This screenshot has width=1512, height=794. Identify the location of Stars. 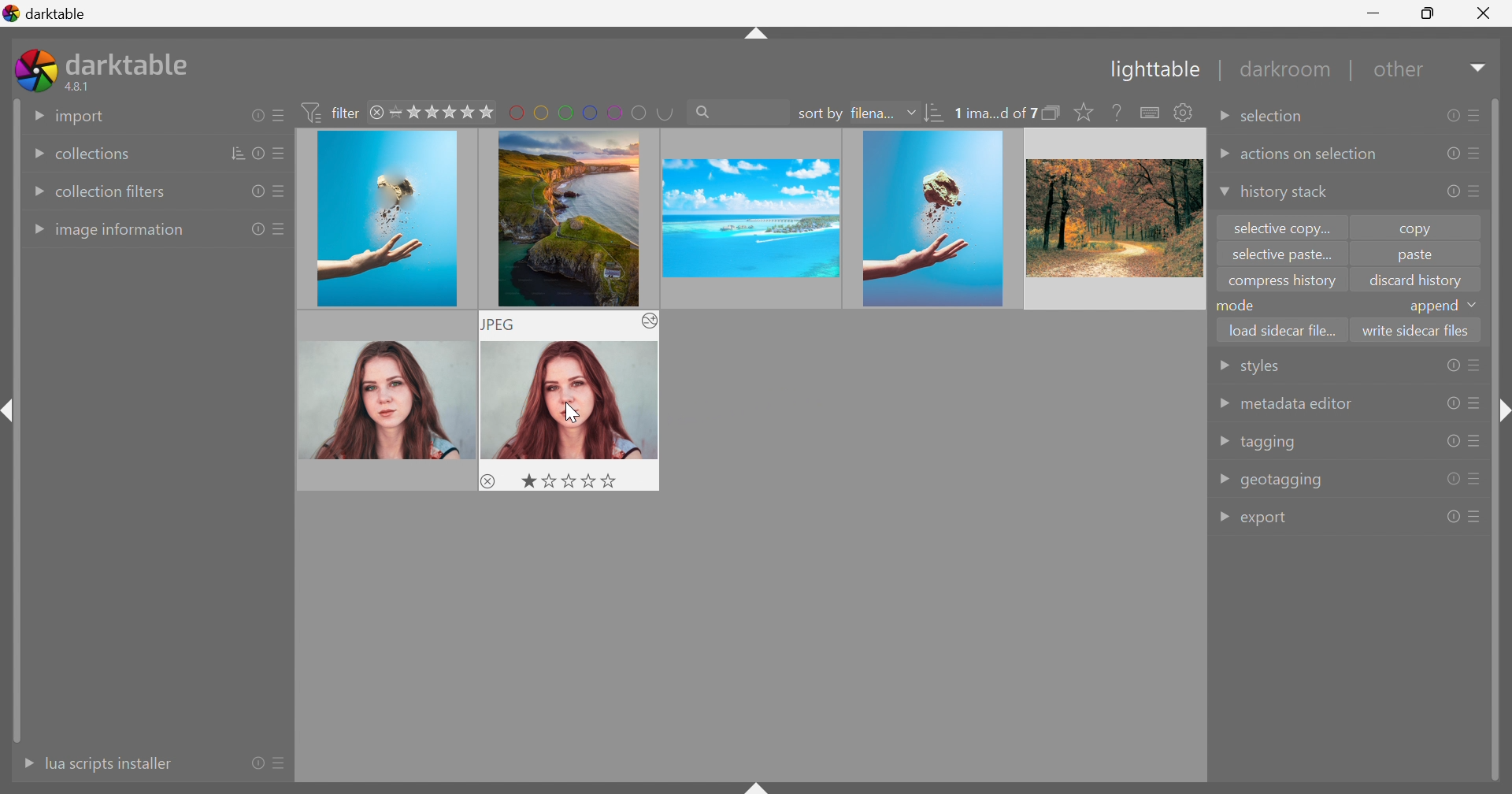
(570, 478).